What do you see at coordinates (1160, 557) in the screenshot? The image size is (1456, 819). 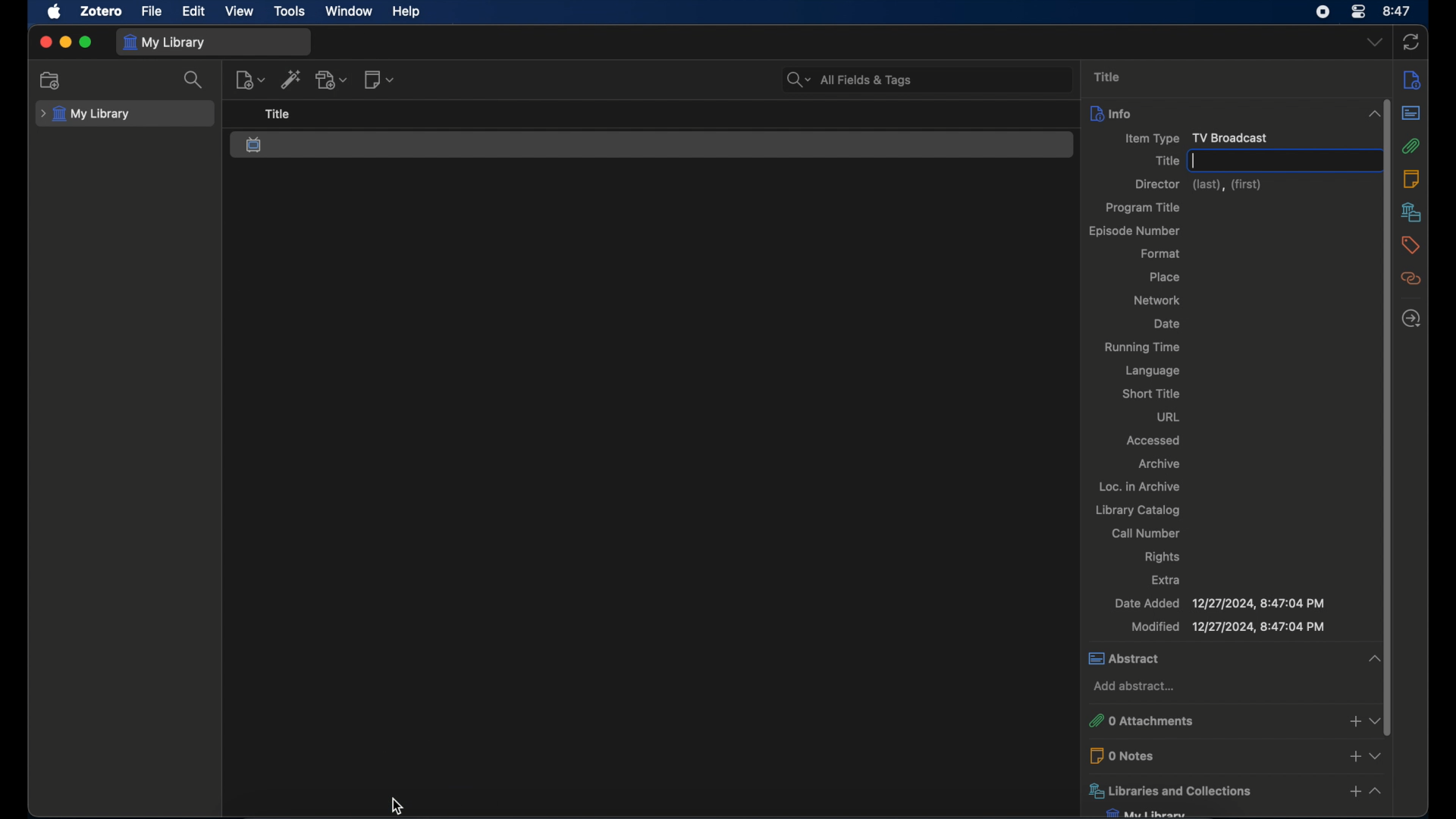 I see `rights` at bounding box center [1160, 557].